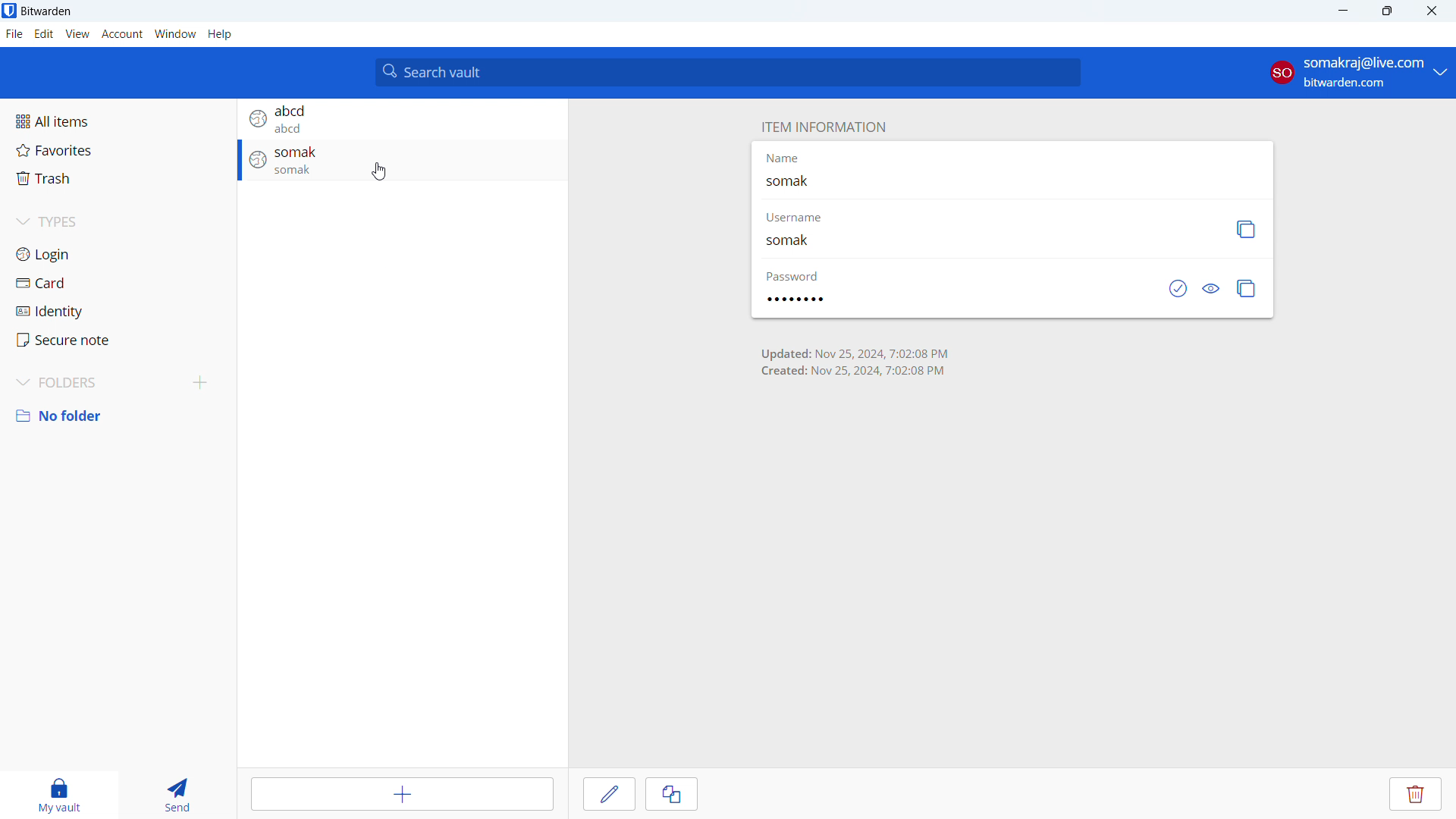 Image resolution: width=1456 pixels, height=819 pixels. What do you see at coordinates (1247, 289) in the screenshot?
I see `copy password` at bounding box center [1247, 289].